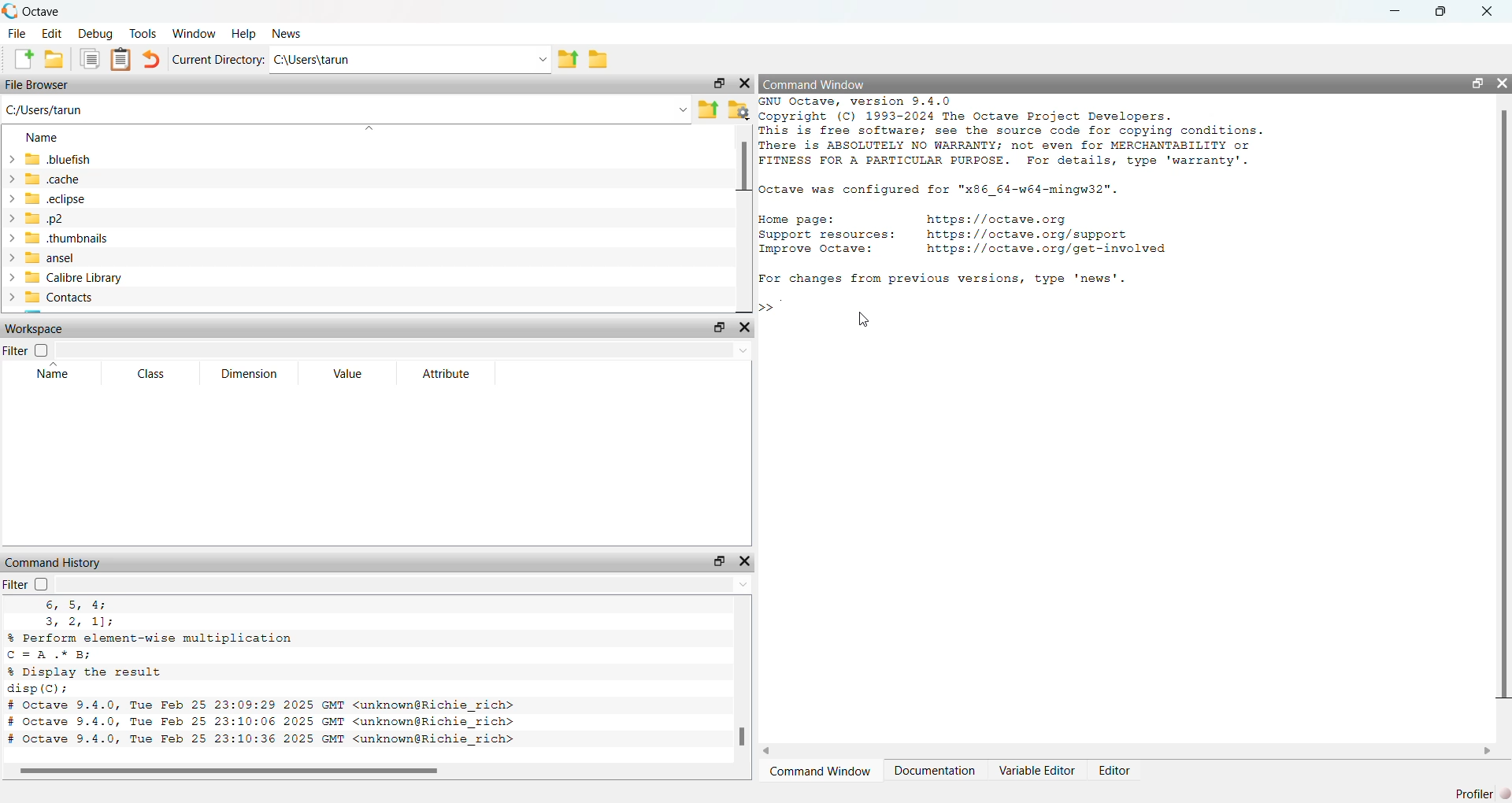 The height and width of the screenshot is (803, 1512). Describe the element at coordinates (815, 83) in the screenshot. I see `Command Window` at that location.